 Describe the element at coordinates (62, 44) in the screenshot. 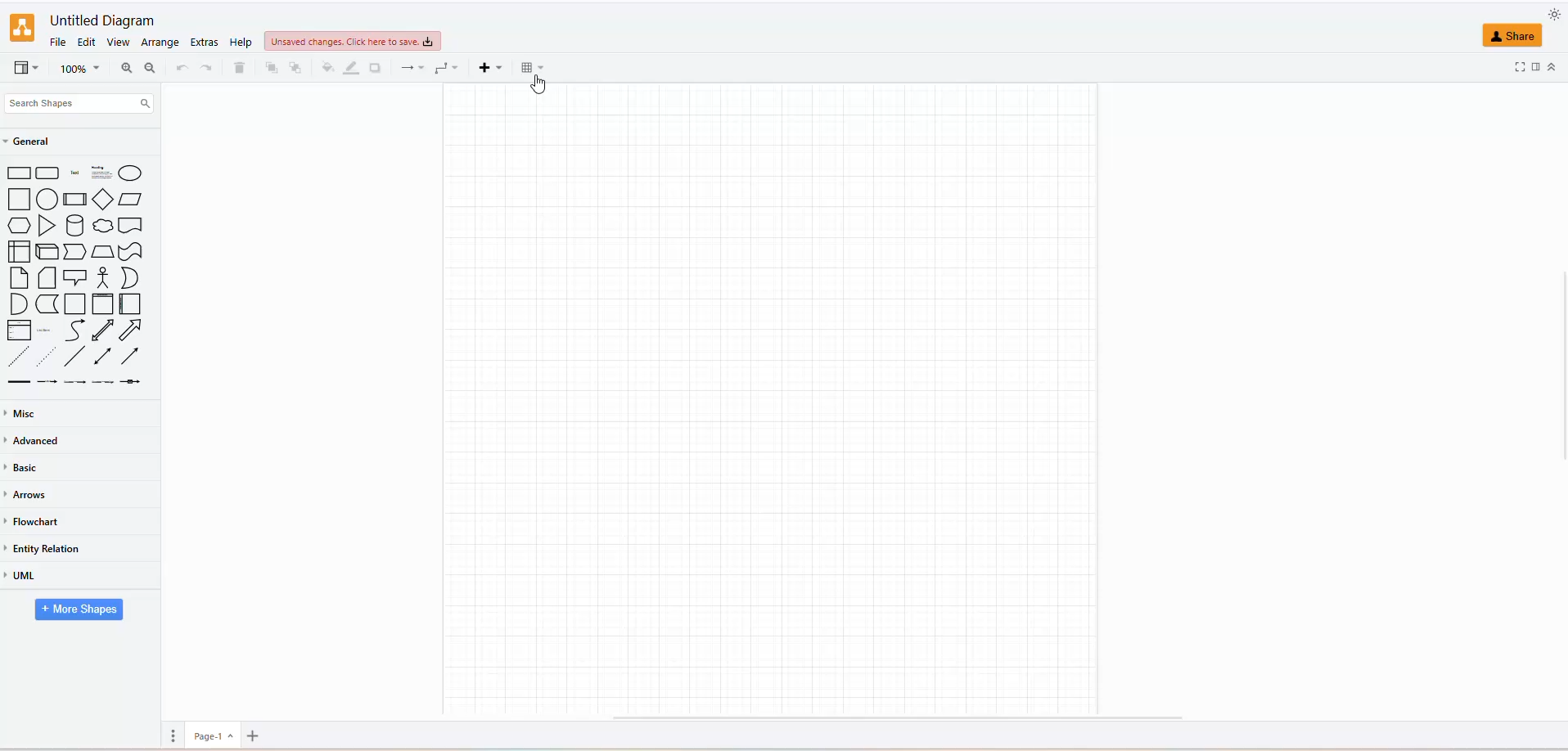

I see `file` at that location.